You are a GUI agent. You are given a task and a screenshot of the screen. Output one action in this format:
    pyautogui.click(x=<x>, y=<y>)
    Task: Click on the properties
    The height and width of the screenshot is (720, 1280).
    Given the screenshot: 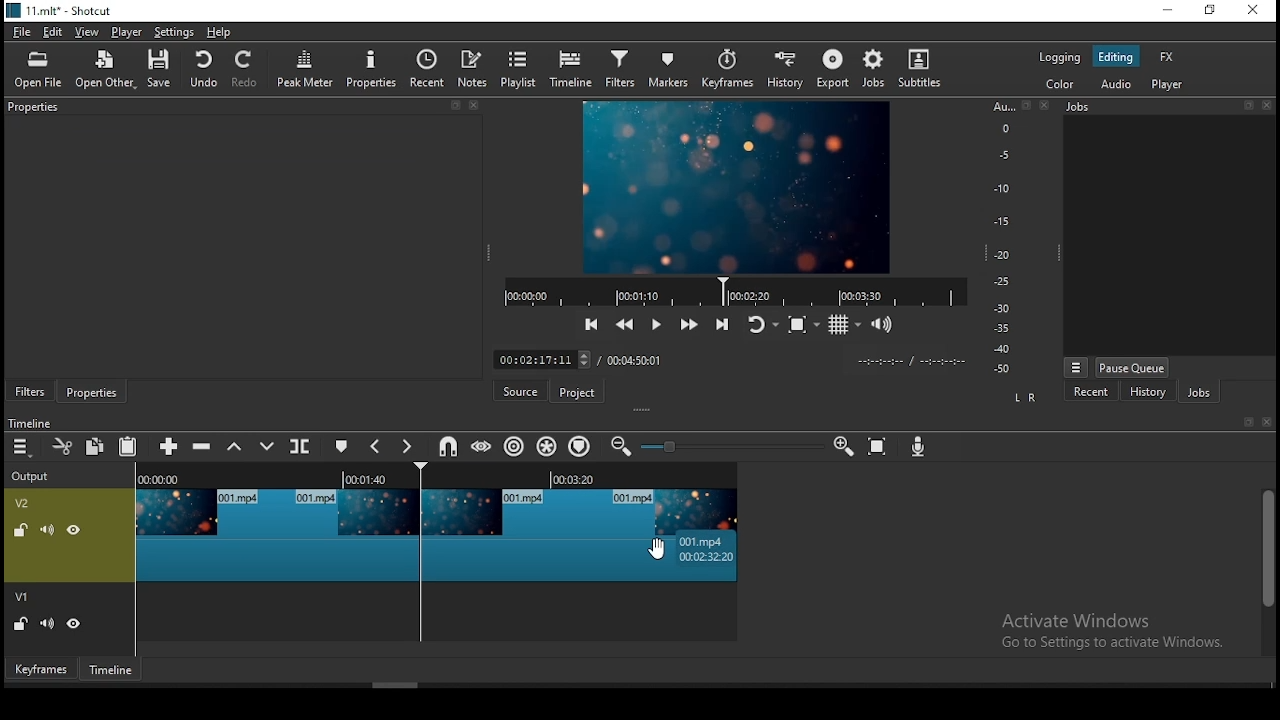 What is the action you would take?
    pyautogui.click(x=241, y=108)
    